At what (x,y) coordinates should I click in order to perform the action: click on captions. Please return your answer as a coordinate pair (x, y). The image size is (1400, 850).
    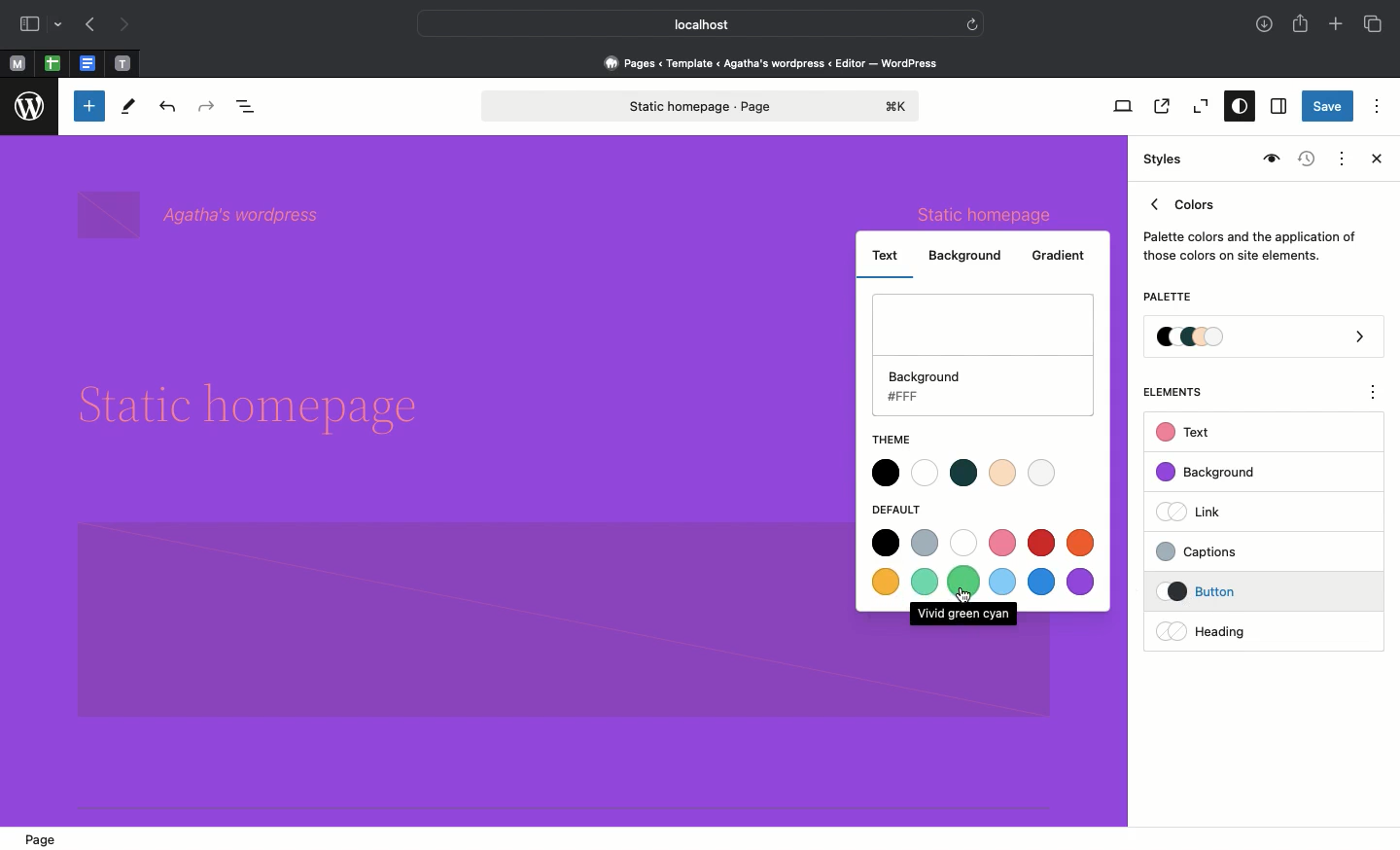
    Looking at the image, I should click on (1231, 549).